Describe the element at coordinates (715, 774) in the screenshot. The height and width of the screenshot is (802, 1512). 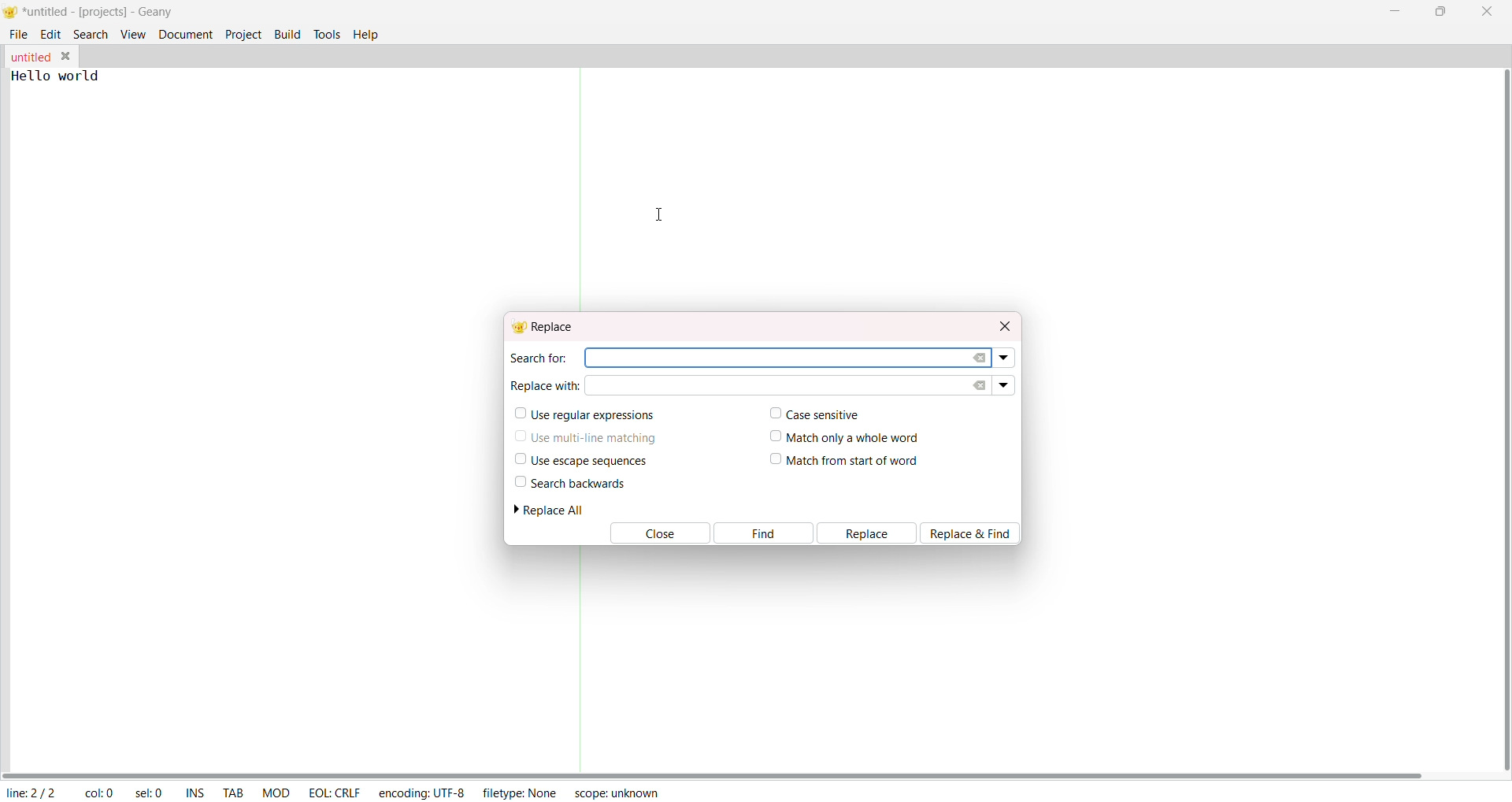
I see `horizontal scroll bar` at that location.